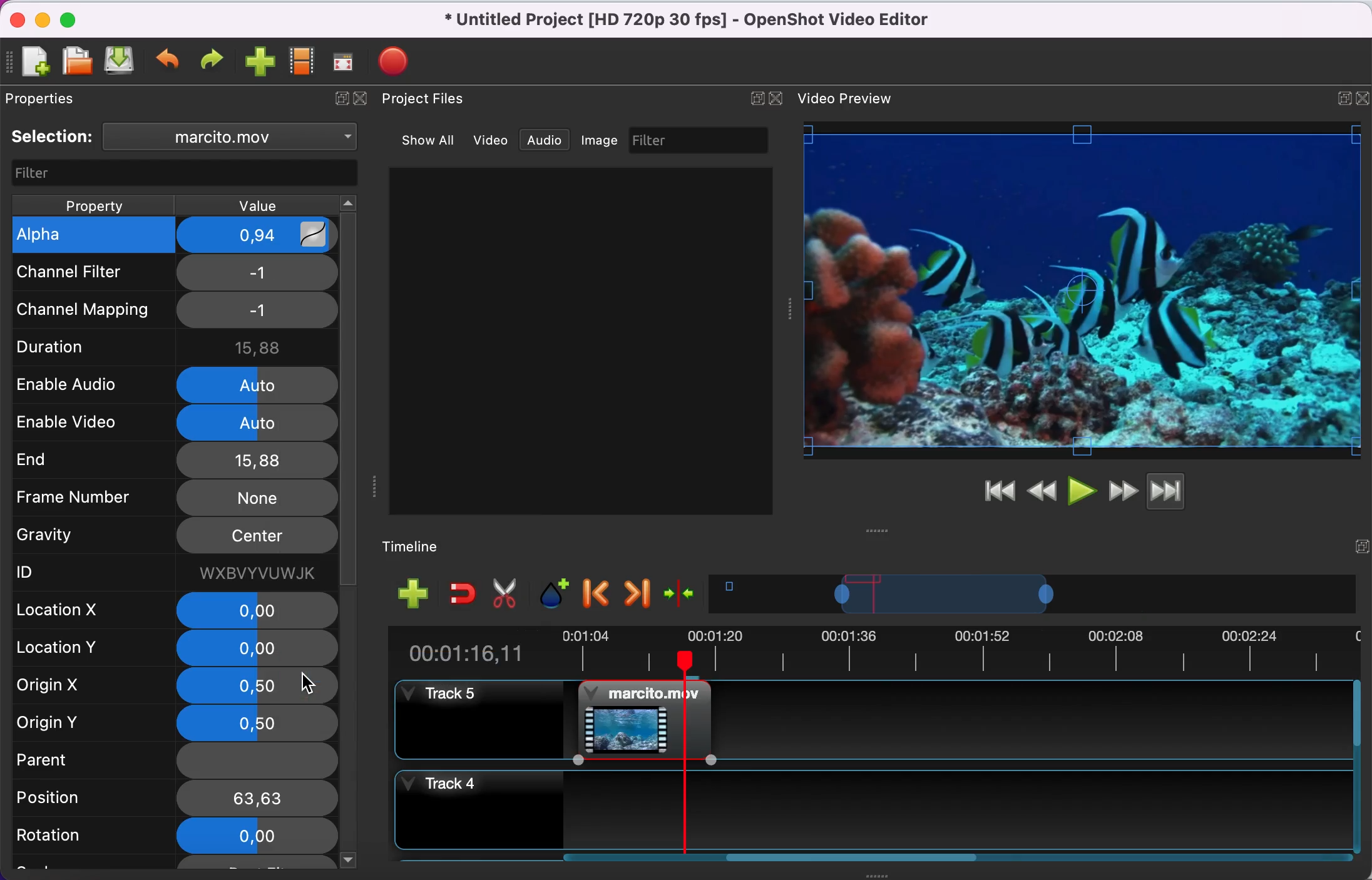 The width and height of the screenshot is (1372, 880). I want to click on 0,50 ly, so click(255, 688).